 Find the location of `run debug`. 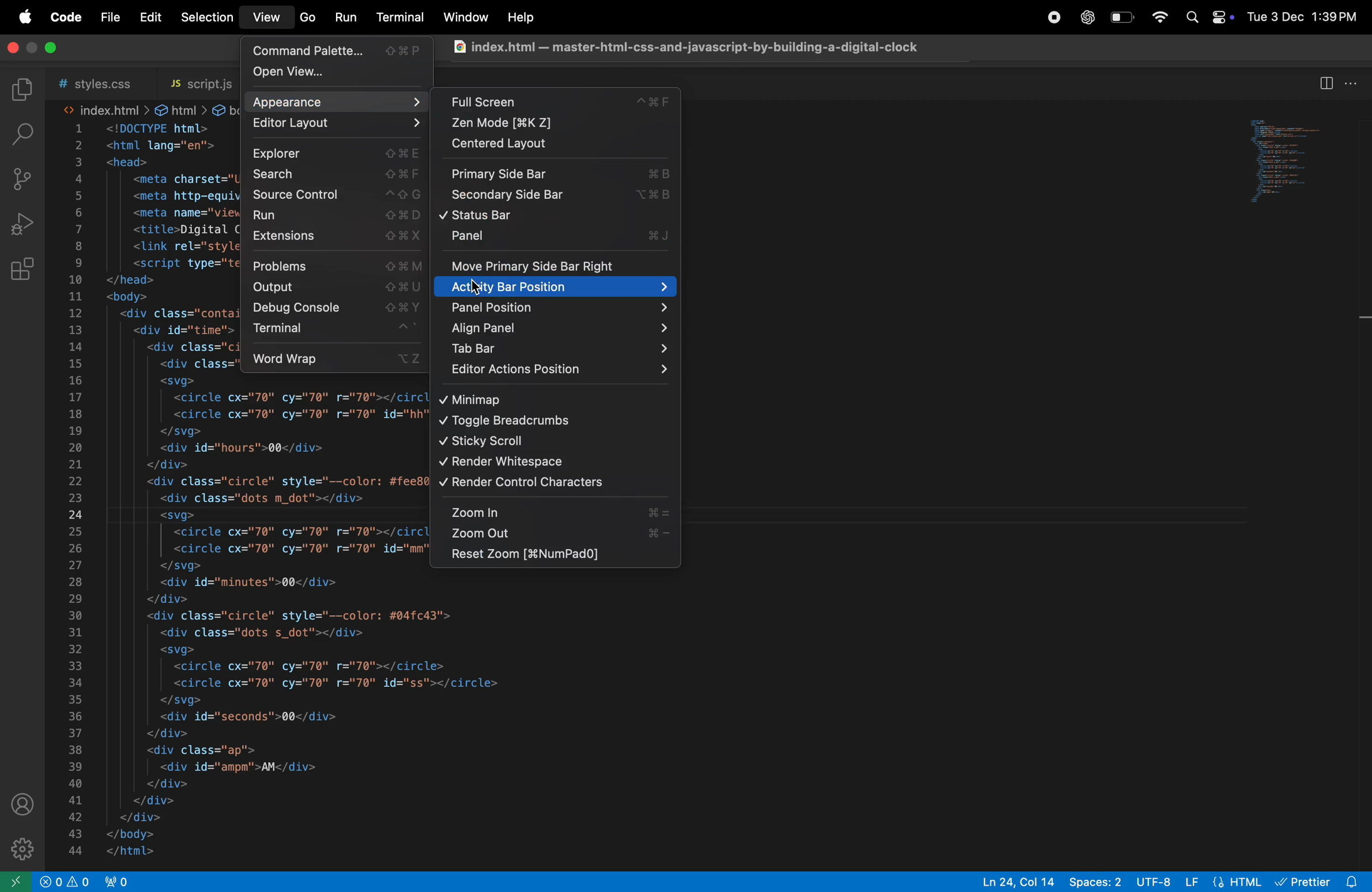

run debug is located at coordinates (24, 224).